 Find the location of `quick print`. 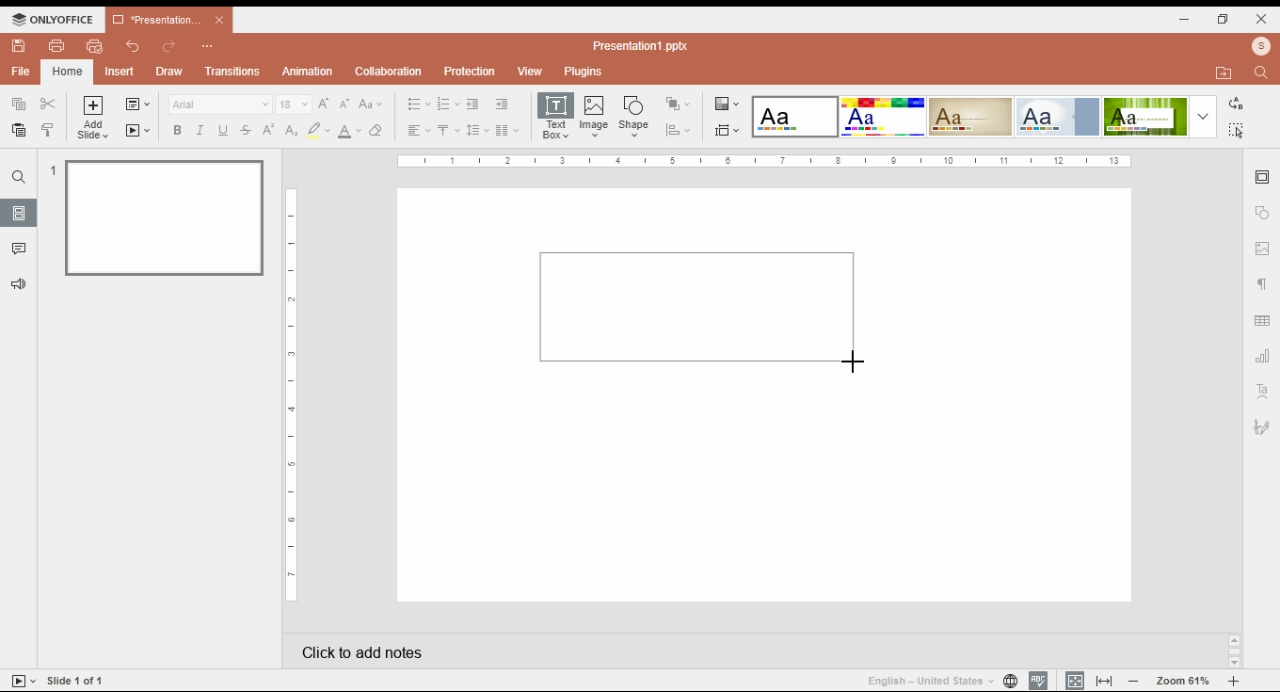

quick print is located at coordinates (95, 45).